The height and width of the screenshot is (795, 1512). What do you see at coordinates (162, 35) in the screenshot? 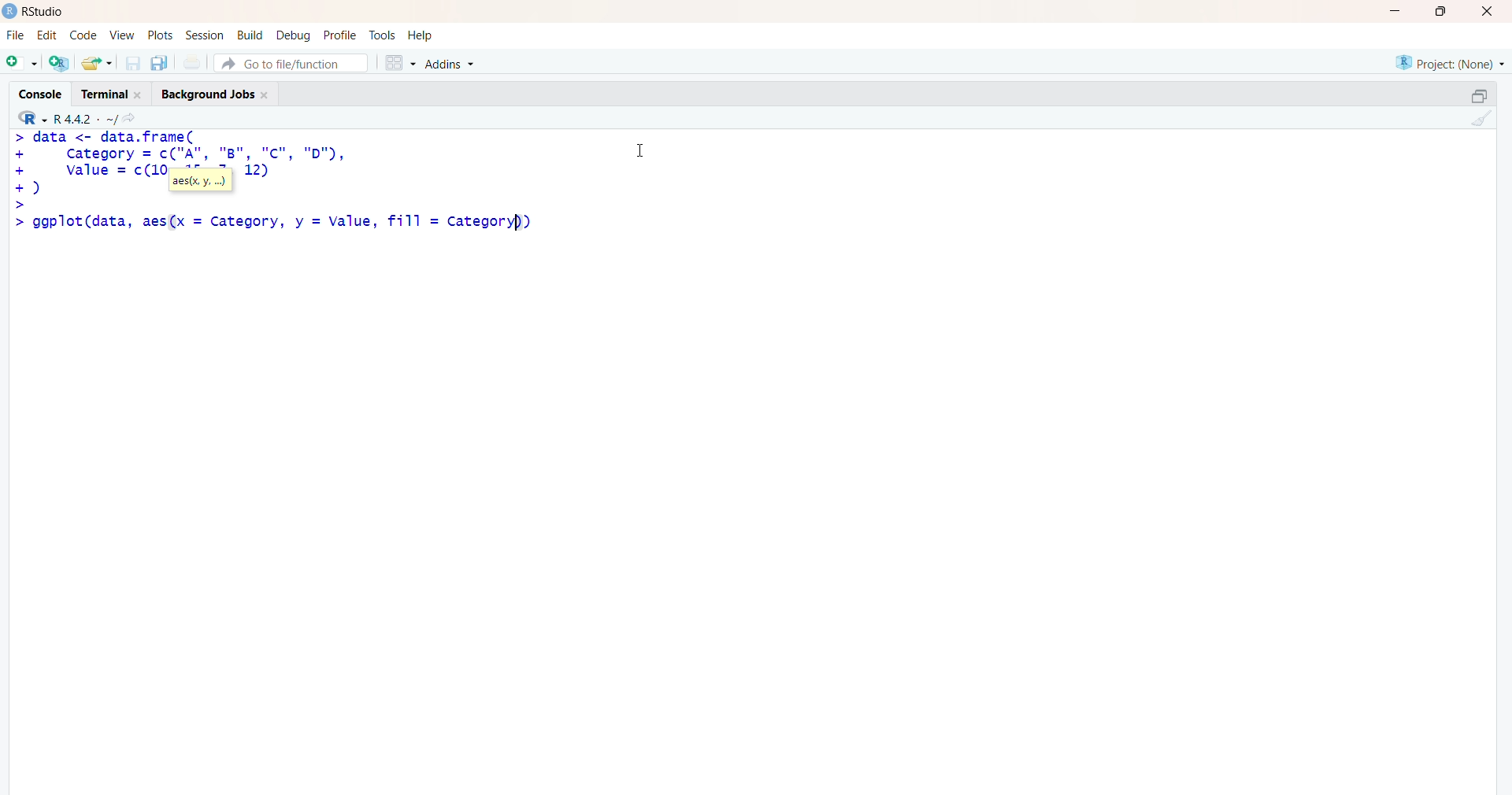
I see `plots` at bounding box center [162, 35].